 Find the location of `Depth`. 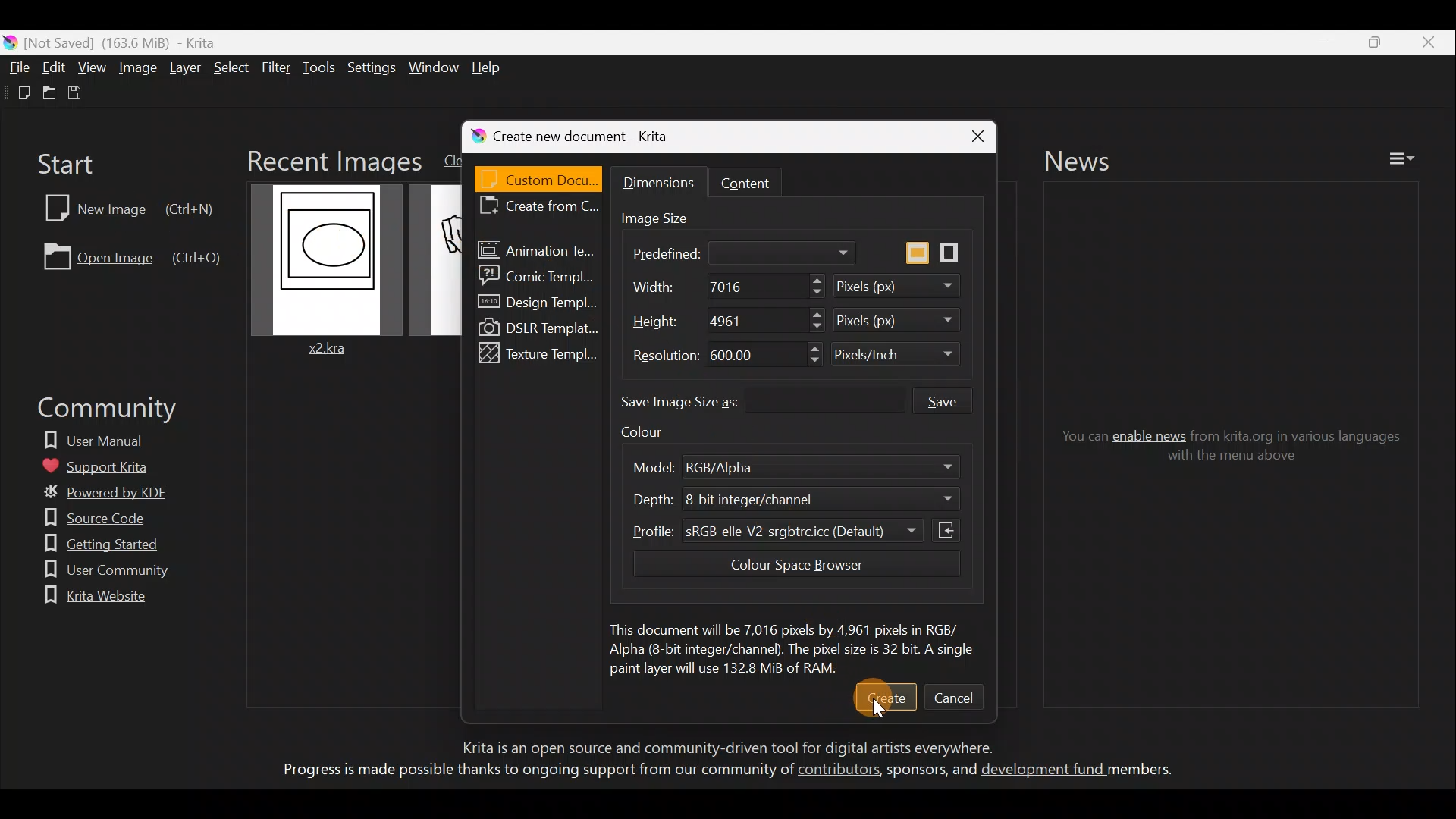

Depth is located at coordinates (646, 499).